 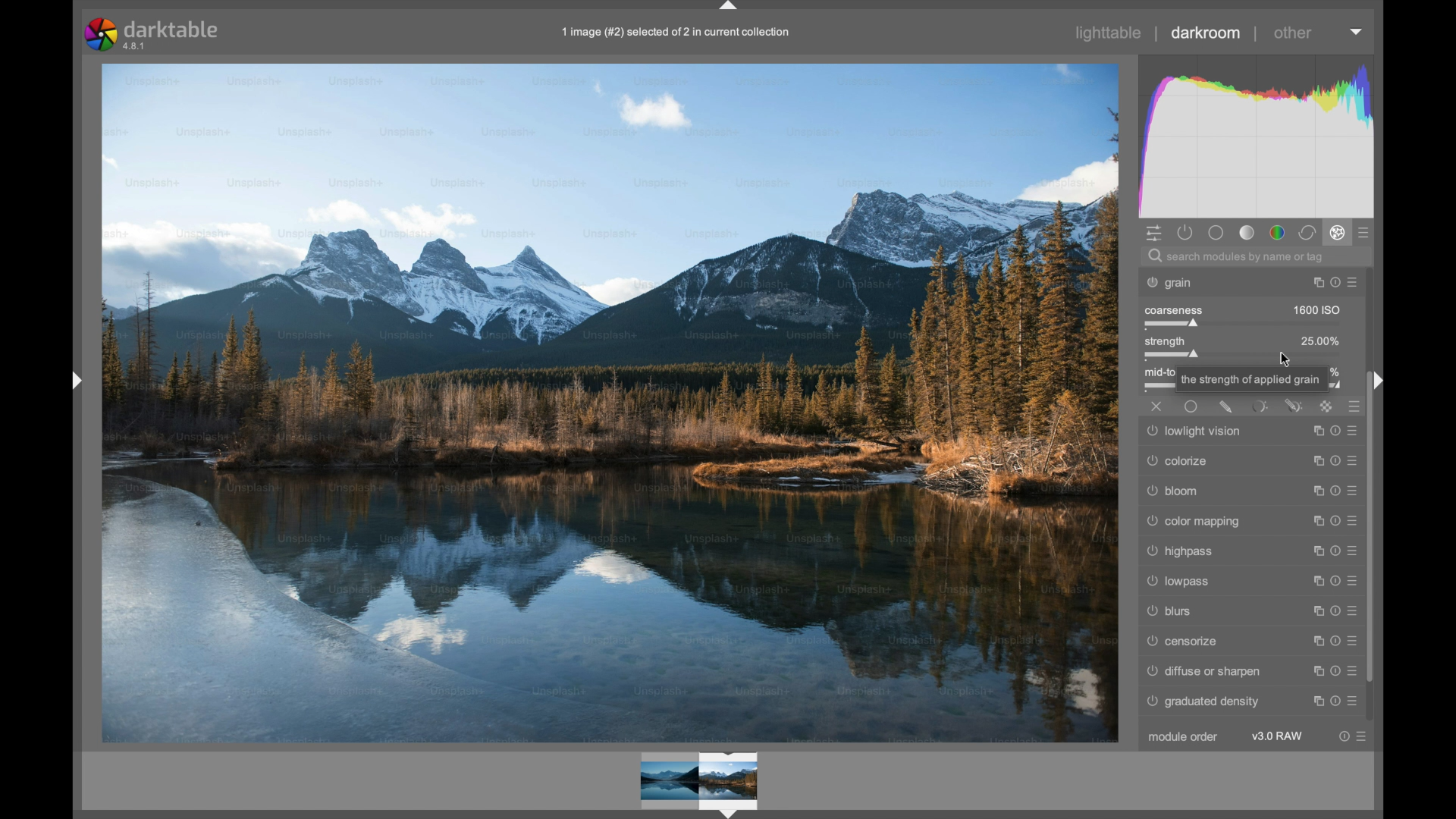 I want to click on reset parameters, so click(x=1335, y=281).